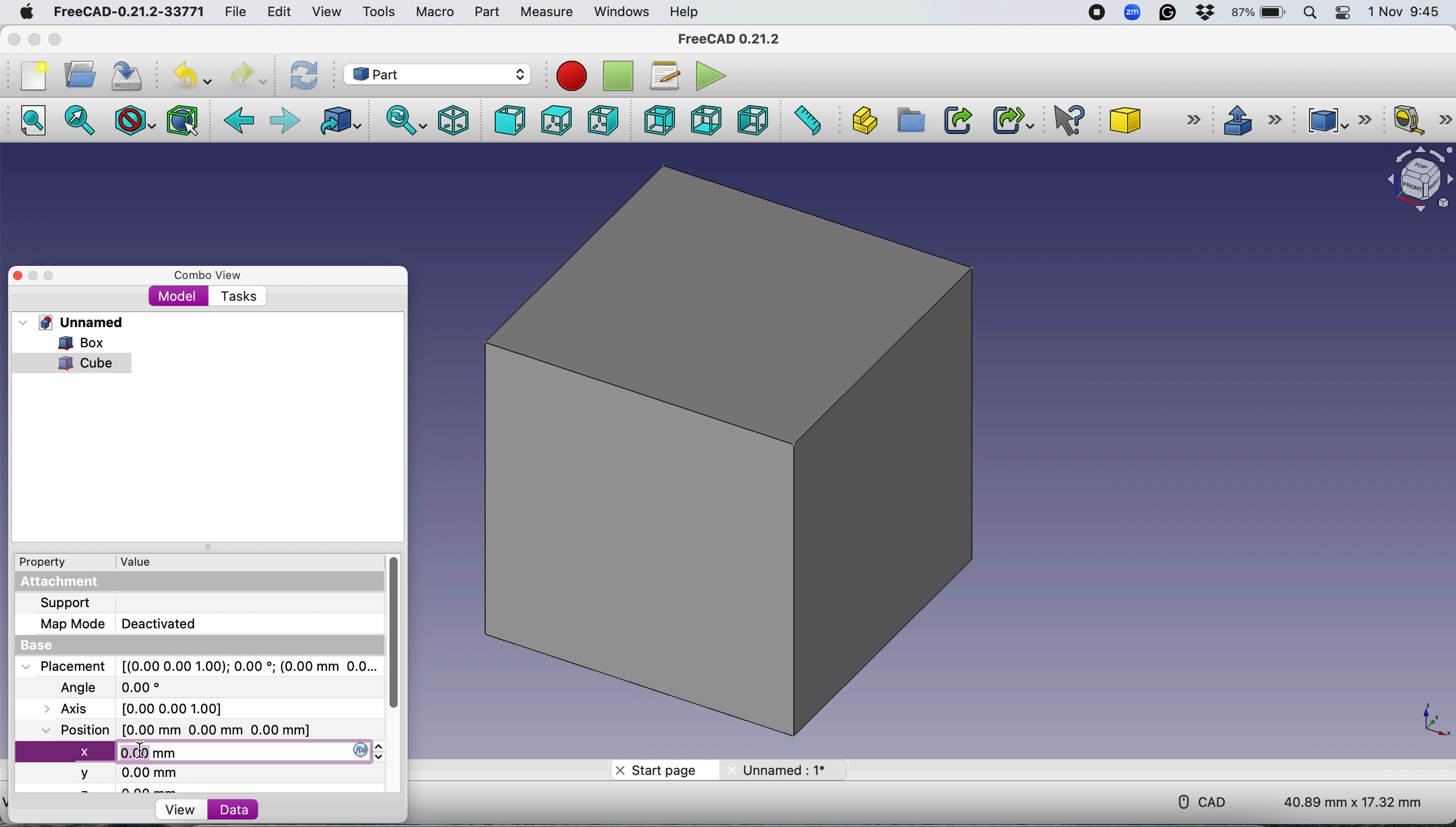 This screenshot has height=827, width=1456. I want to click on FreeCAD-0.21.2-33771, so click(128, 12).